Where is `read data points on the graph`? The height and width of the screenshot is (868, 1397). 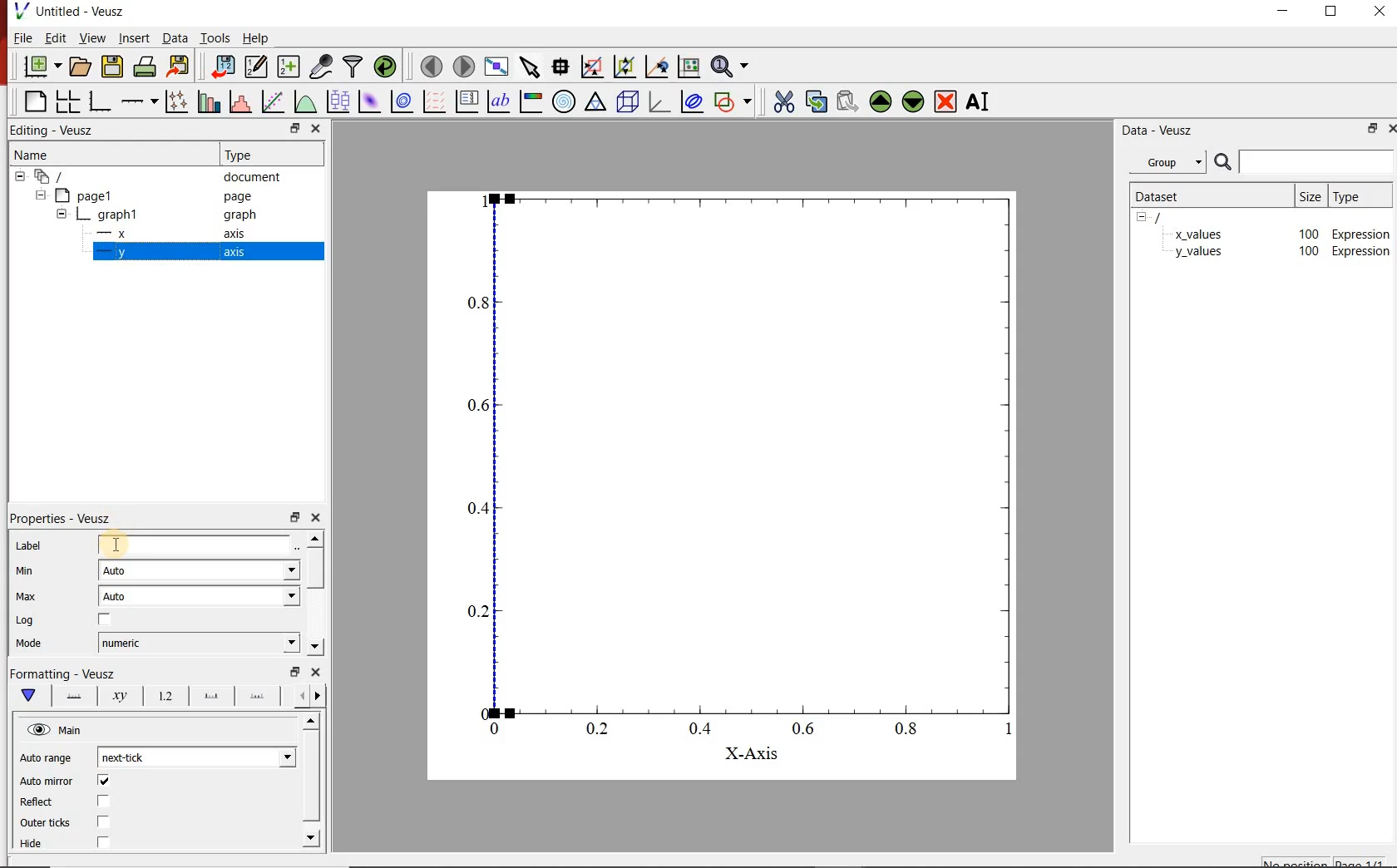
read data points on the graph is located at coordinates (561, 66).